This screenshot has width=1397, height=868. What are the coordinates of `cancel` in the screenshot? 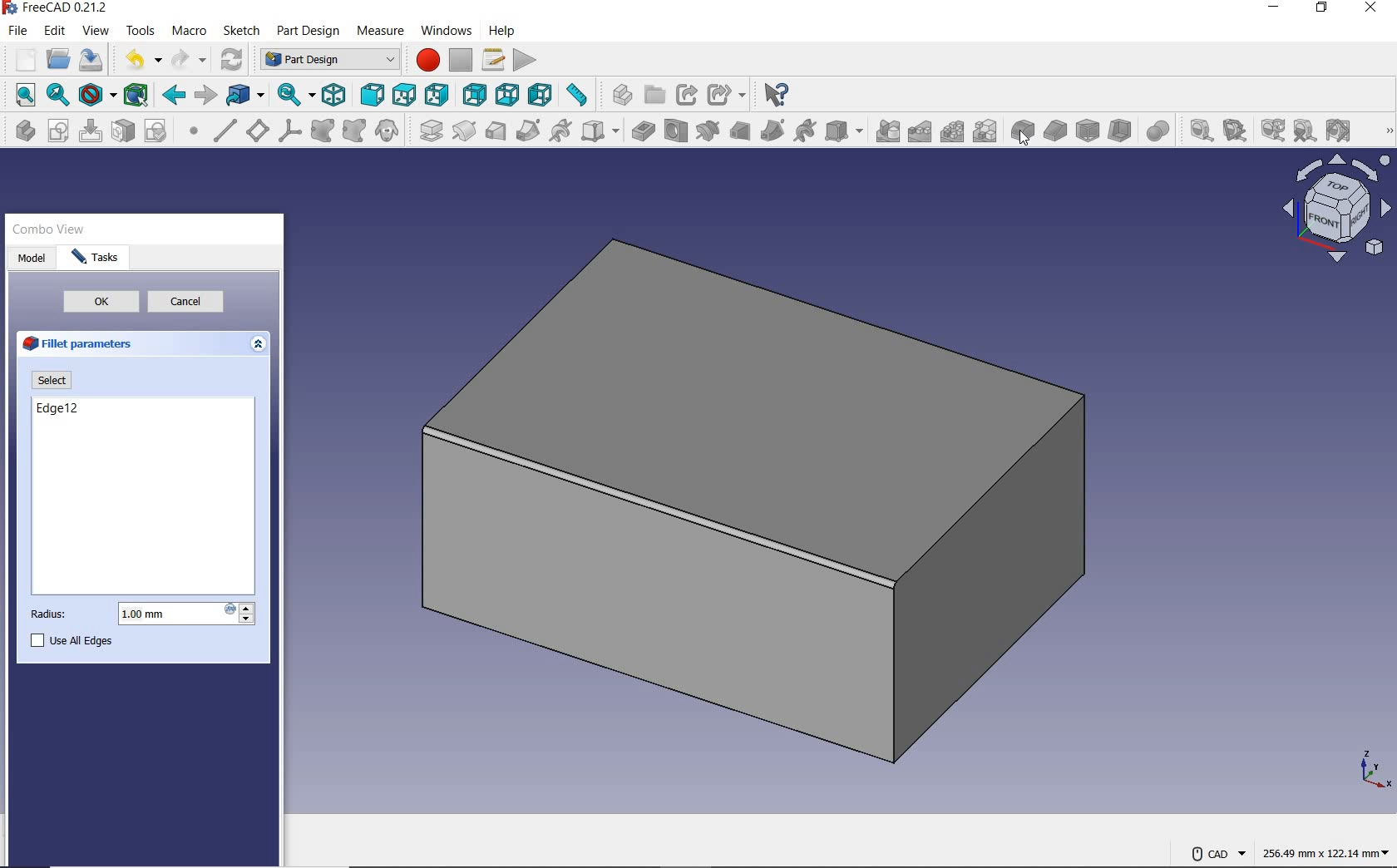 It's located at (188, 303).